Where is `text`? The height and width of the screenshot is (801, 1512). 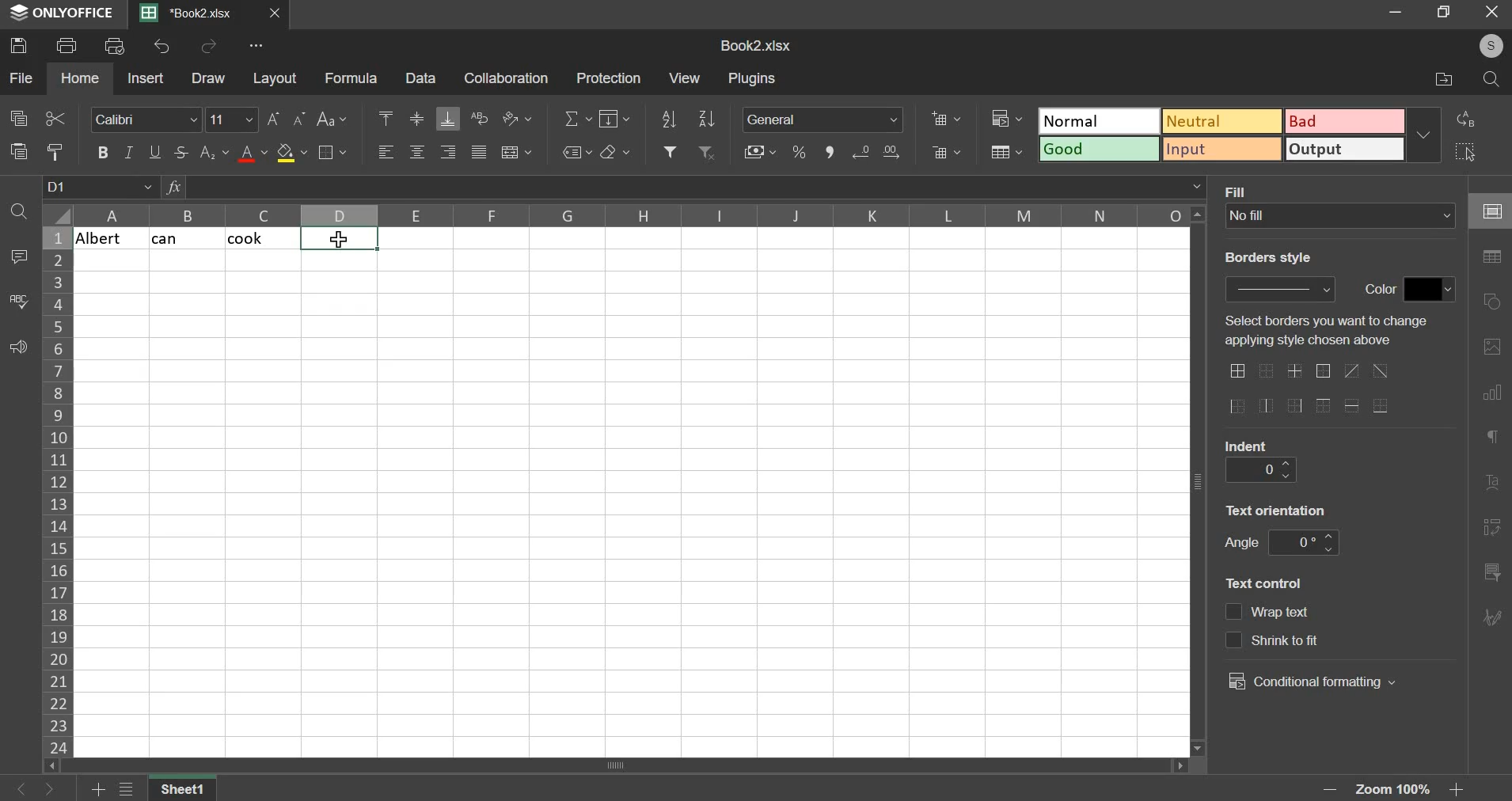
text is located at coordinates (1278, 509).